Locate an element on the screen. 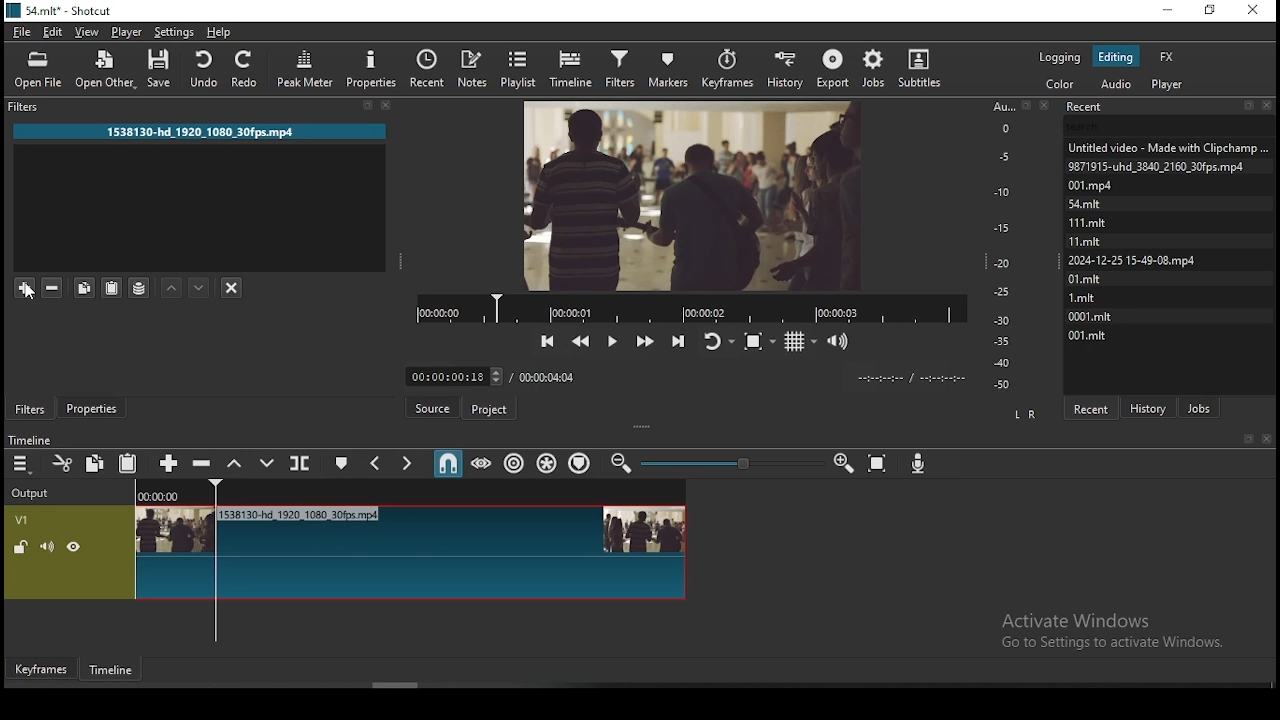 Image resolution: width=1280 pixels, height=720 pixels. undo is located at coordinates (206, 69).